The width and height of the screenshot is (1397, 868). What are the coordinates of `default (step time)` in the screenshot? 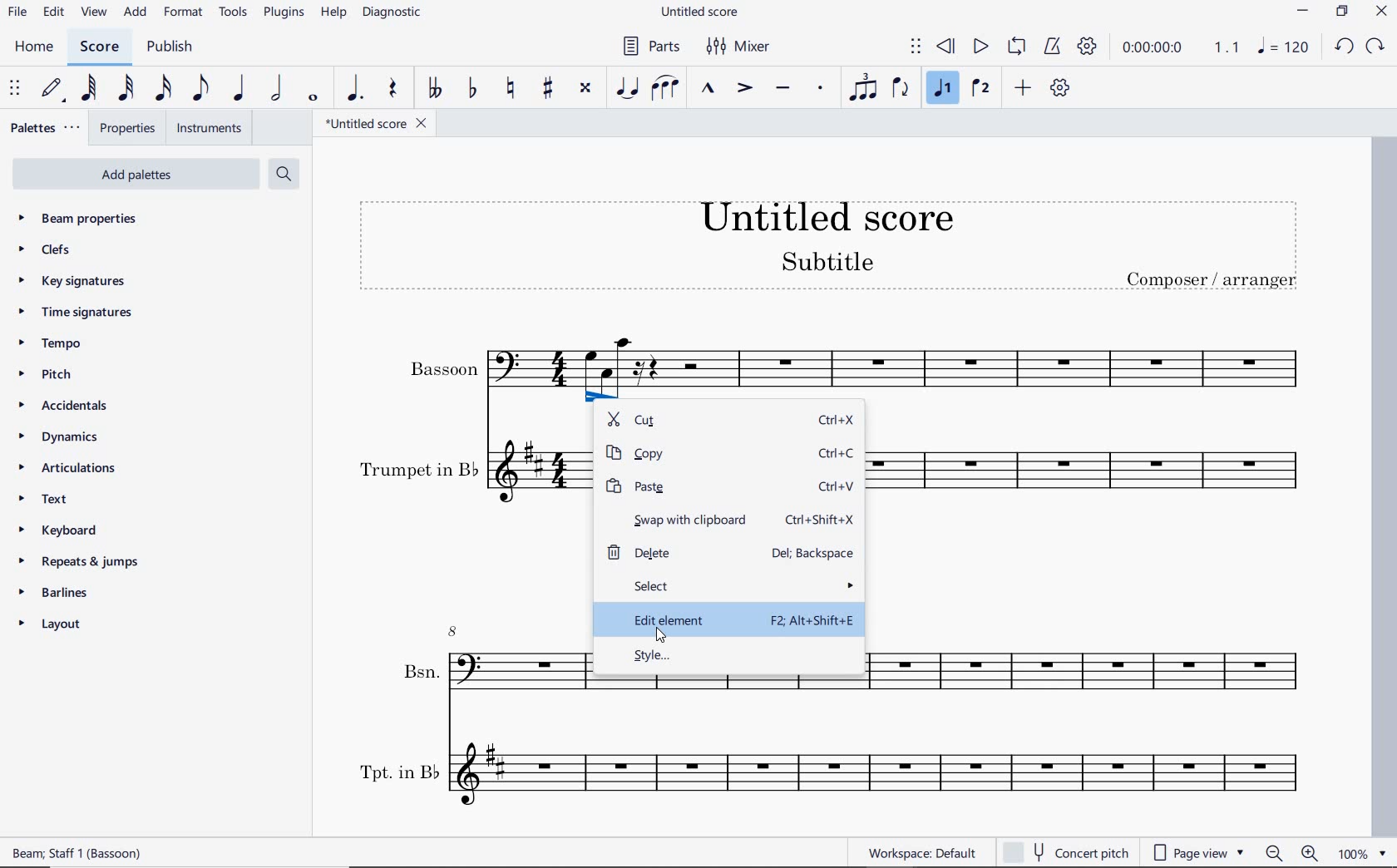 It's located at (54, 88).